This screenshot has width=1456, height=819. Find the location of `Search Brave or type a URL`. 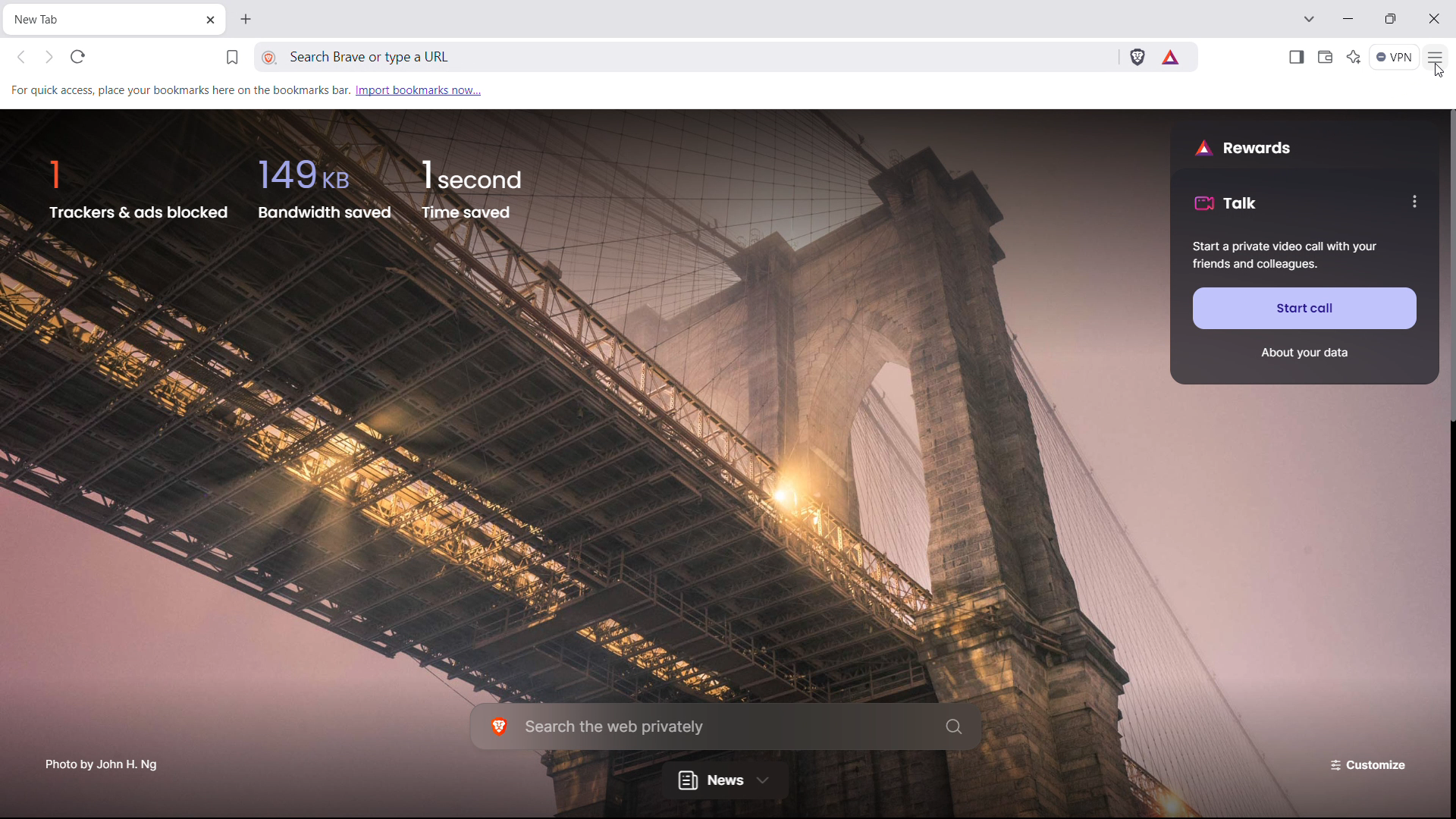

Search Brave or type a URL is located at coordinates (704, 58).